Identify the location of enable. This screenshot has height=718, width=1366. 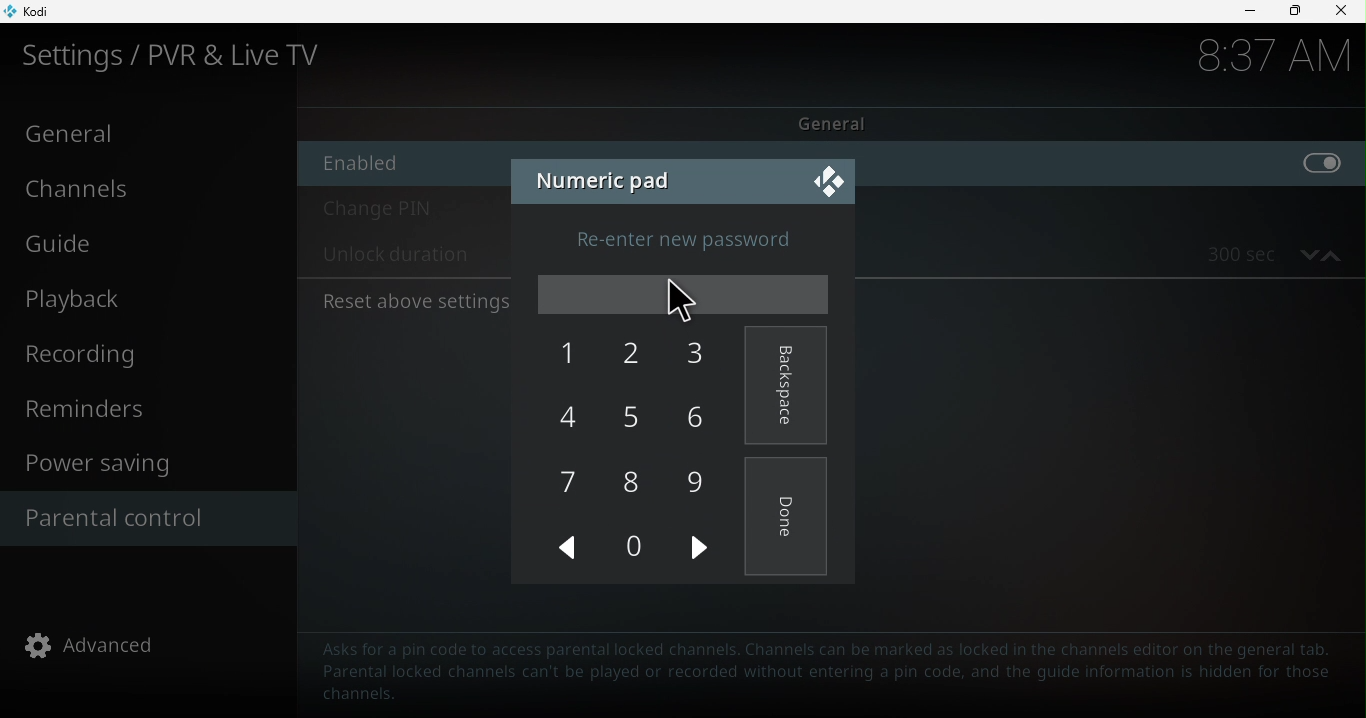
(1120, 165).